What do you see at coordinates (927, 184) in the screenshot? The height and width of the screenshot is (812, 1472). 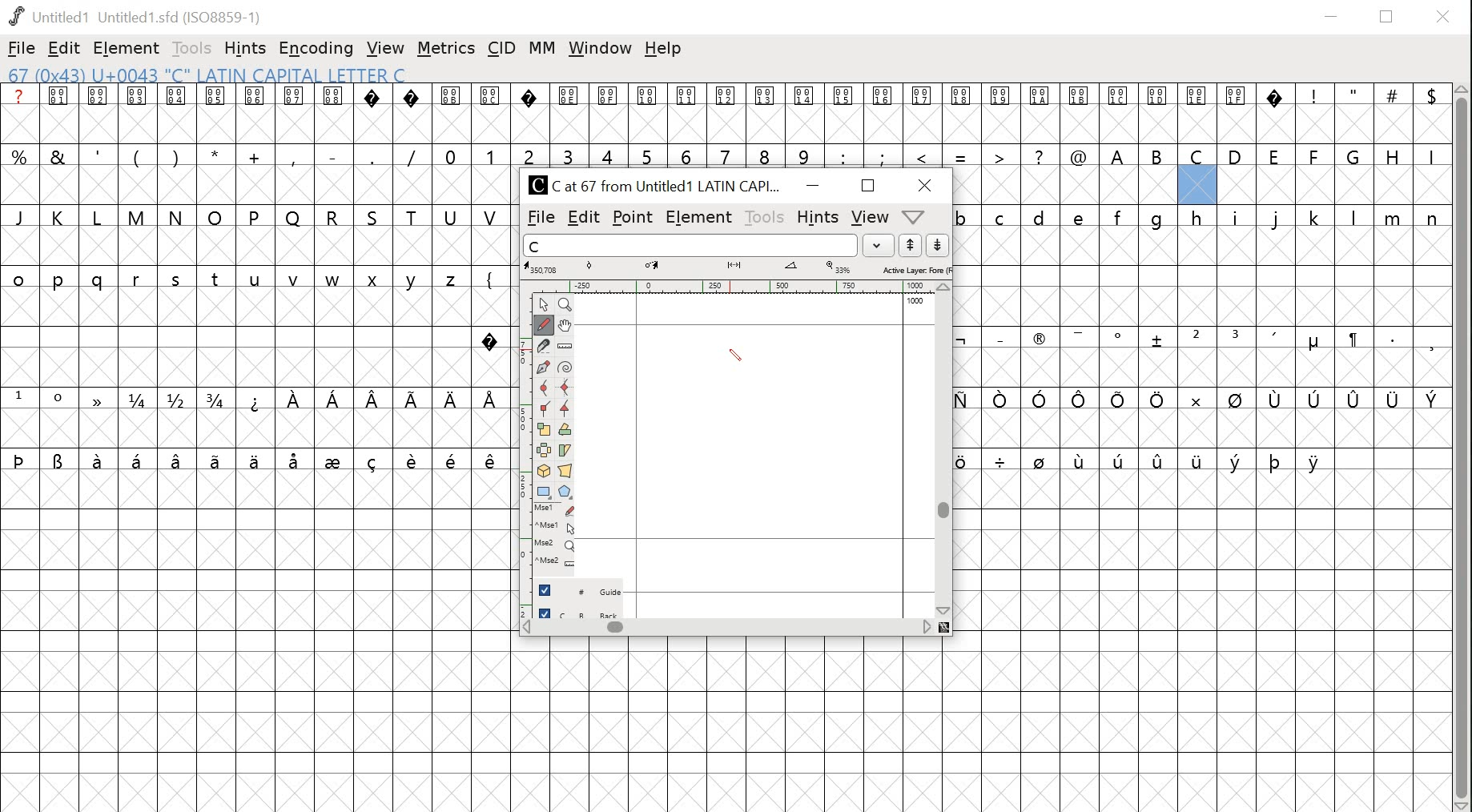 I see `close` at bounding box center [927, 184].